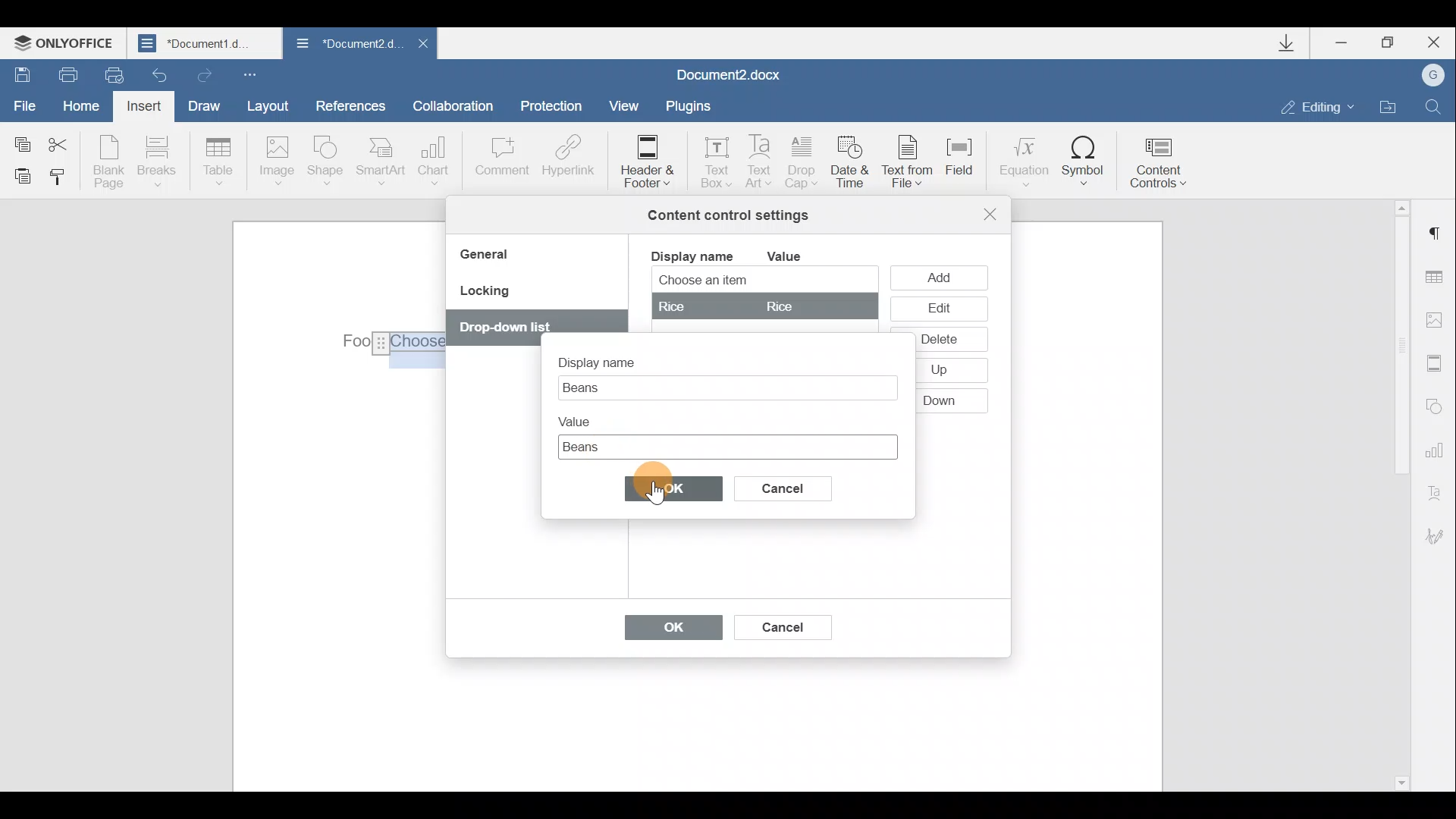 The height and width of the screenshot is (819, 1456). Describe the element at coordinates (781, 624) in the screenshot. I see `Cancel` at that location.